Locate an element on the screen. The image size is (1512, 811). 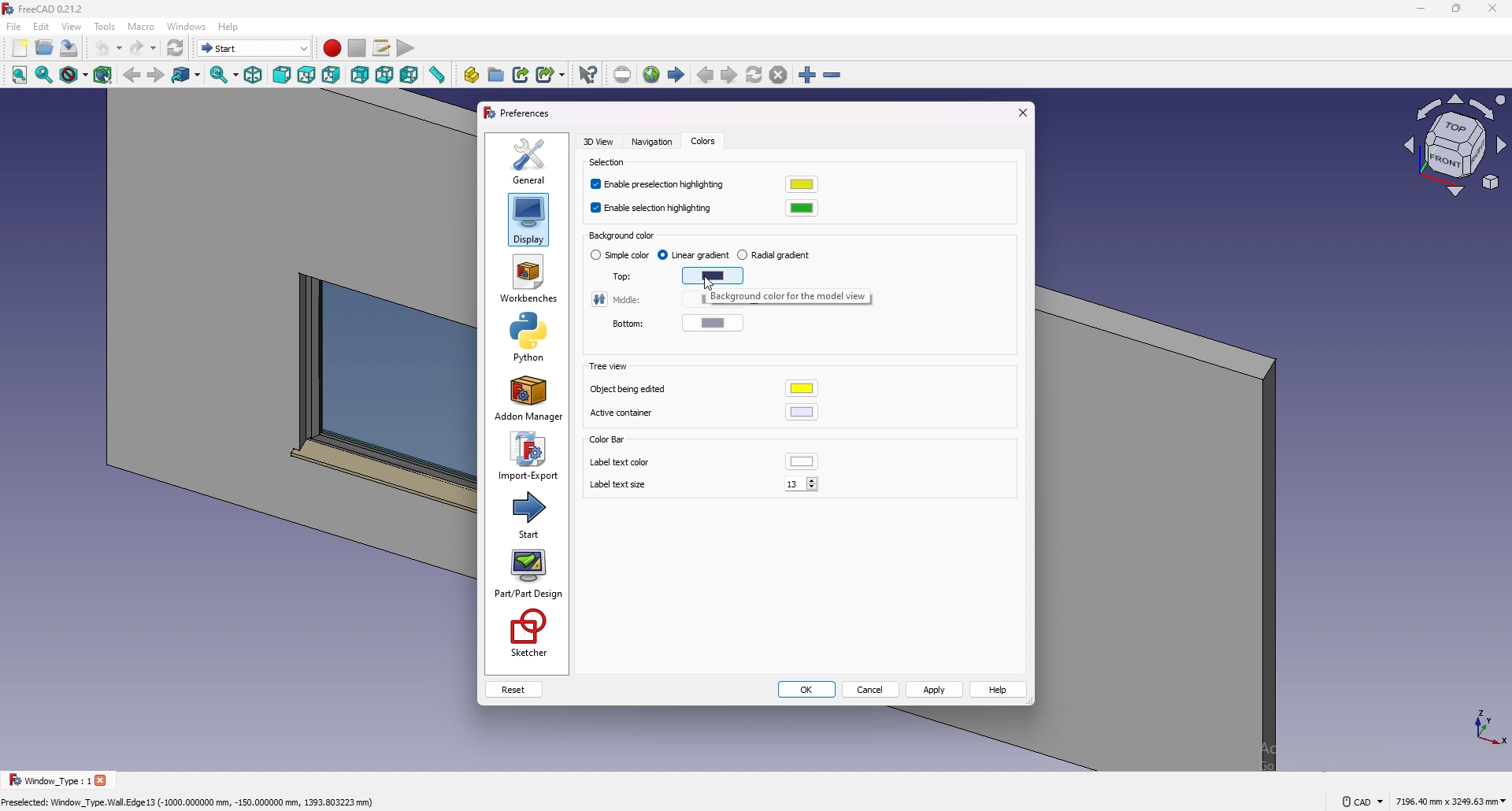
python is located at coordinates (526, 337).